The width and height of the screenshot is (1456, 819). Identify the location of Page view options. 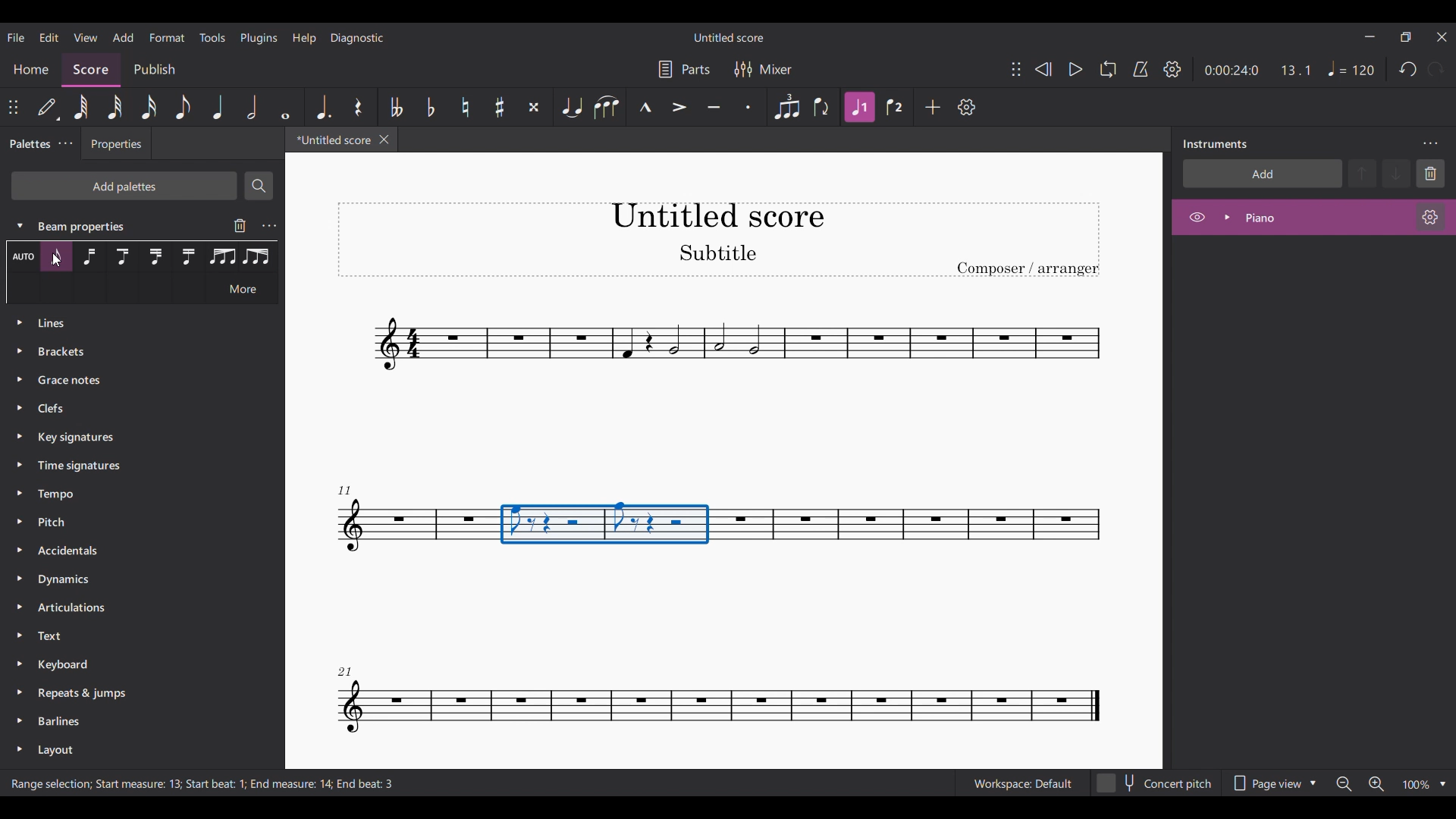
(1276, 779).